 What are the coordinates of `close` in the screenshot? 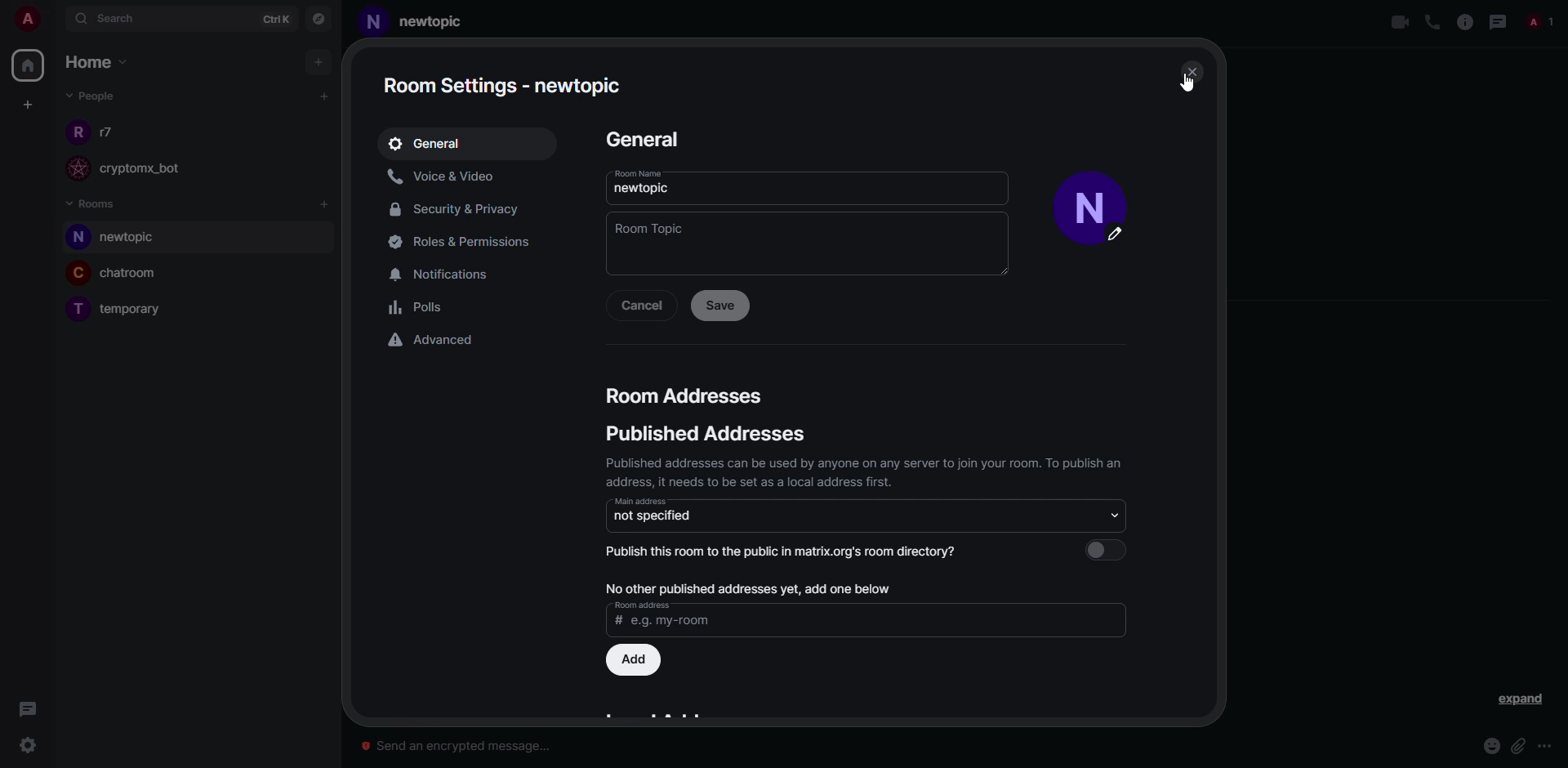 It's located at (1192, 70).